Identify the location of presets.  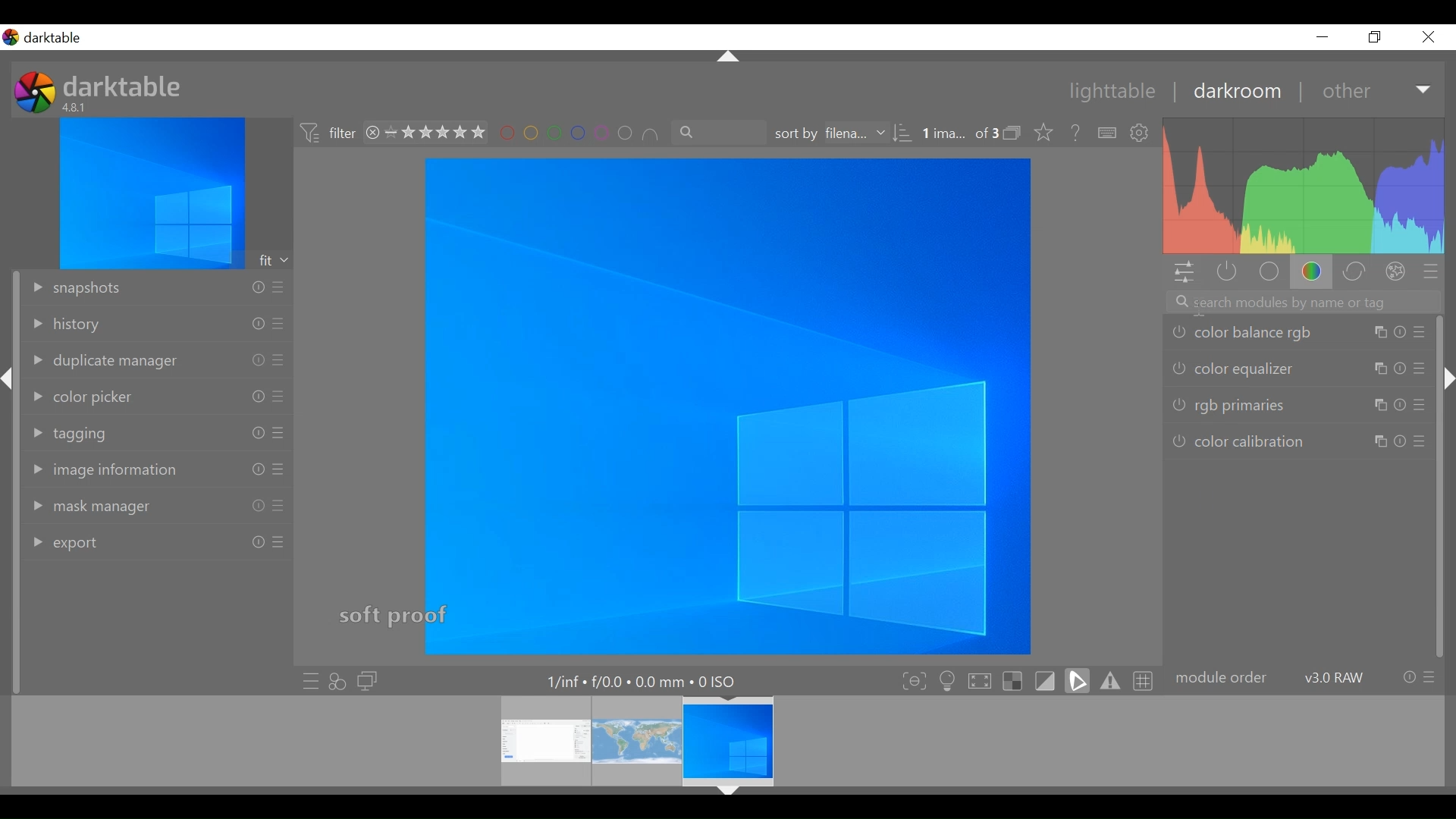
(1419, 404).